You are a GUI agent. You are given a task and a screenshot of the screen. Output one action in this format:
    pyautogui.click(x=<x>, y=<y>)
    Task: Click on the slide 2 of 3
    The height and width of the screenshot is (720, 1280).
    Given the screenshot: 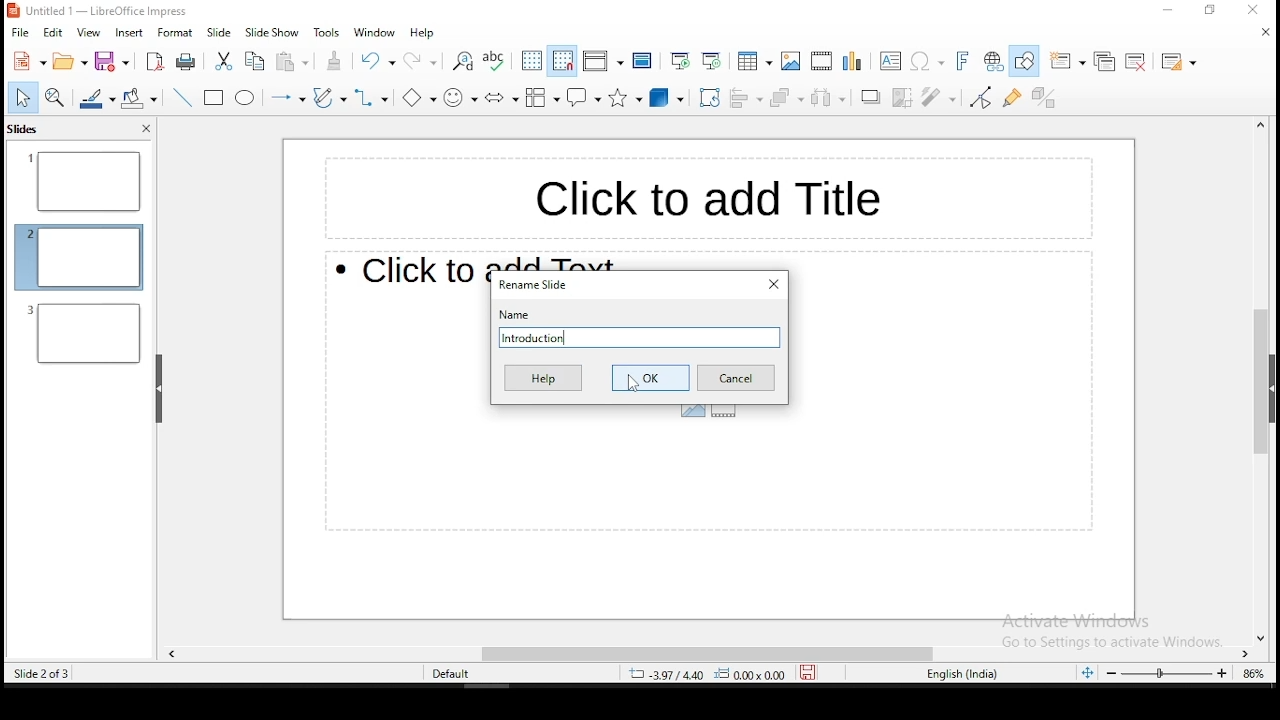 What is the action you would take?
    pyautogui.click(x=40, y=674)
    